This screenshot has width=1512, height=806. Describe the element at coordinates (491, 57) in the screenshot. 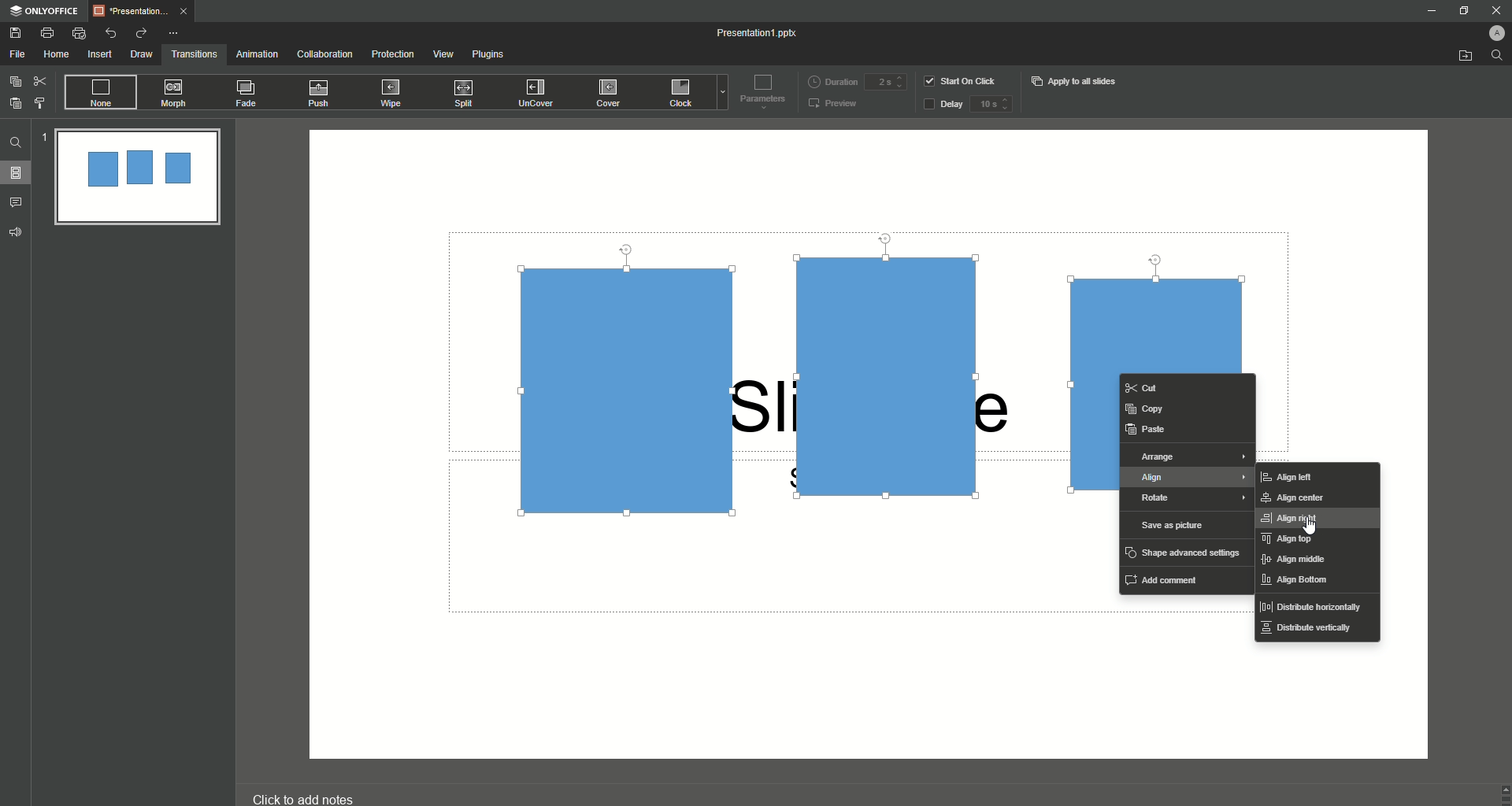

I see `Plugins` at that location.